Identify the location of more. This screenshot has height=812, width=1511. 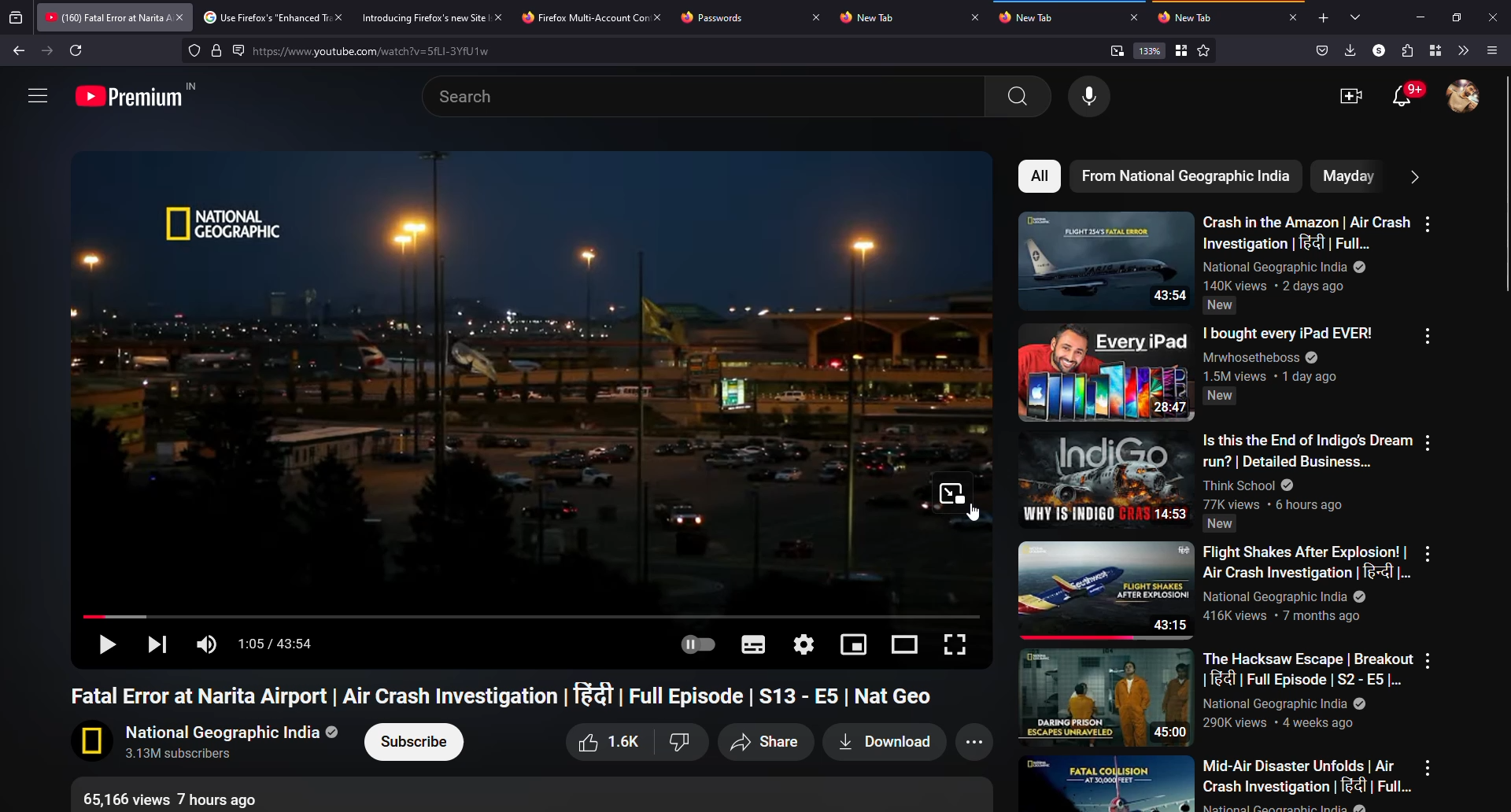
(1429, 224).